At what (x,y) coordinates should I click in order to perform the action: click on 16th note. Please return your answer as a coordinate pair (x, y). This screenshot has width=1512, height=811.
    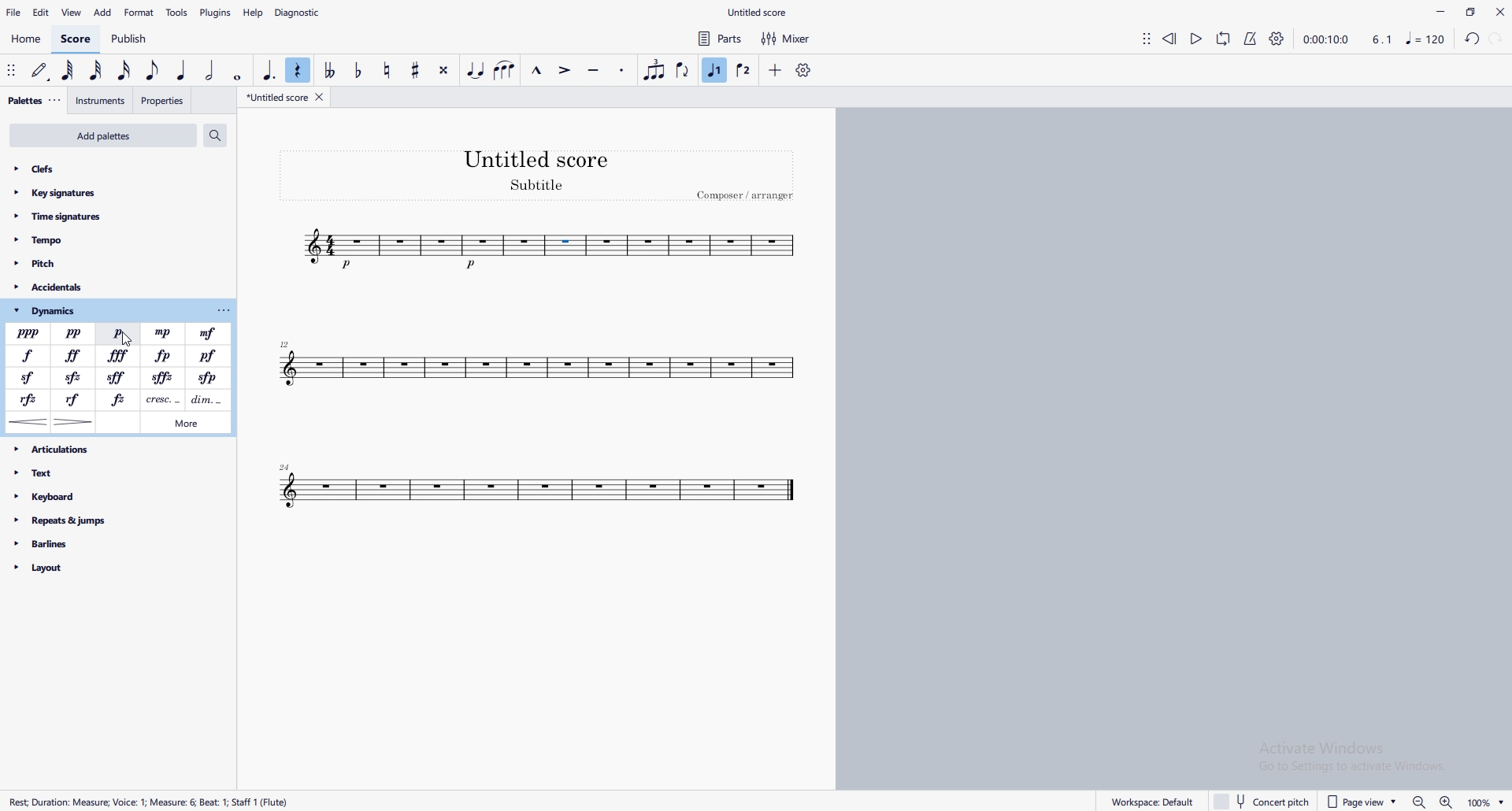
    Looking at the image, I should click on (124, 71).